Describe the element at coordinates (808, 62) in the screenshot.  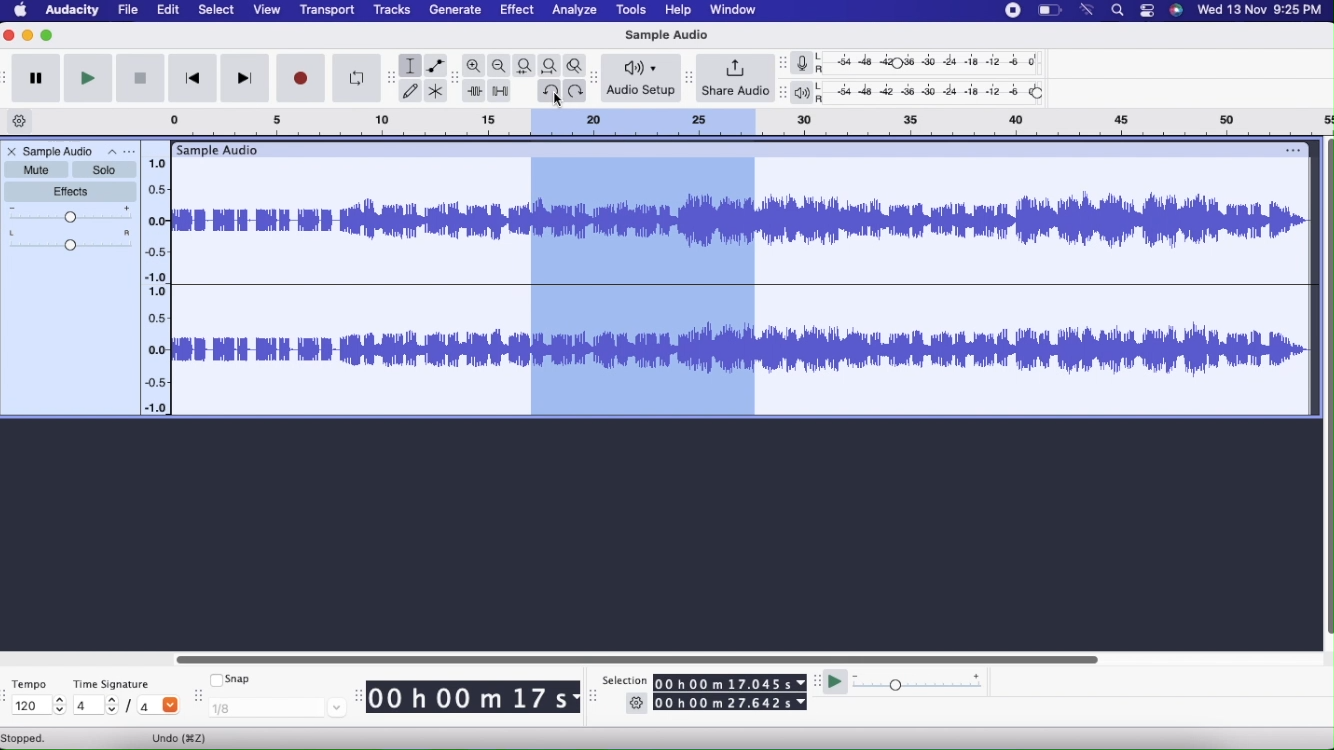
I see `Record meter` at that location.